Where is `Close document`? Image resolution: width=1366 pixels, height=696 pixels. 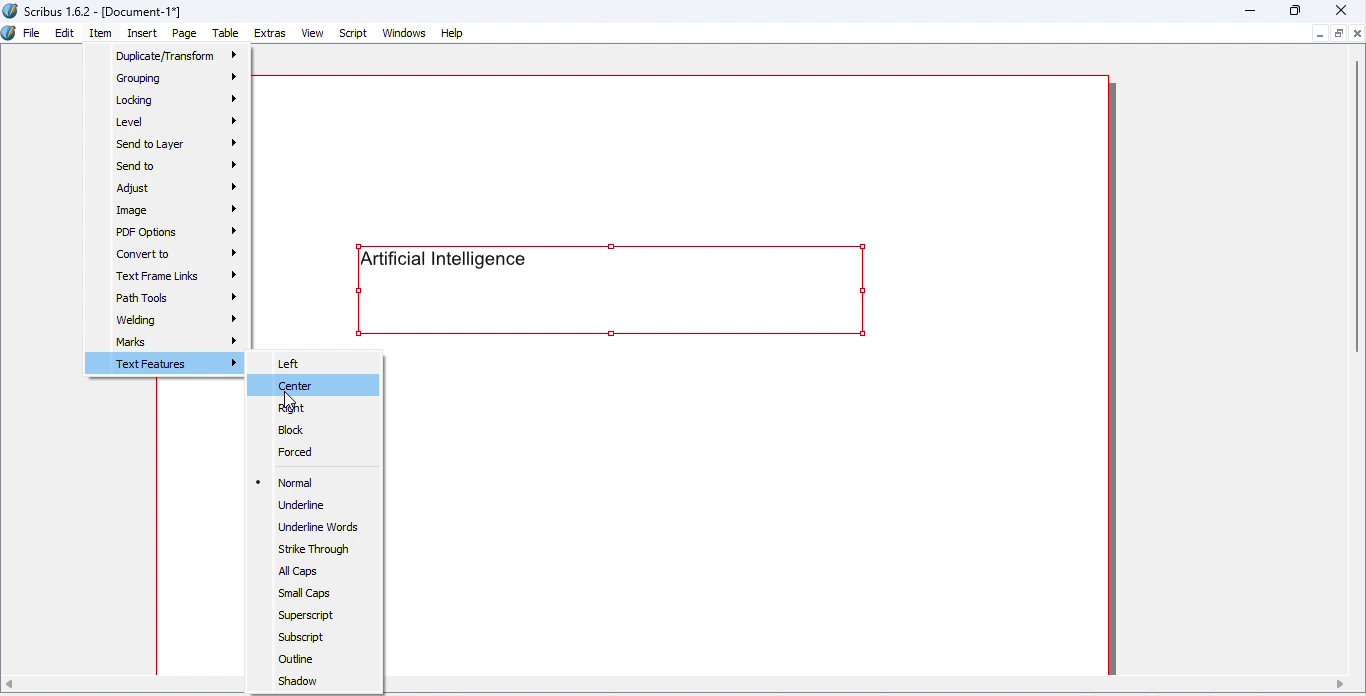
Close document is located at coordinates (1358, 34).